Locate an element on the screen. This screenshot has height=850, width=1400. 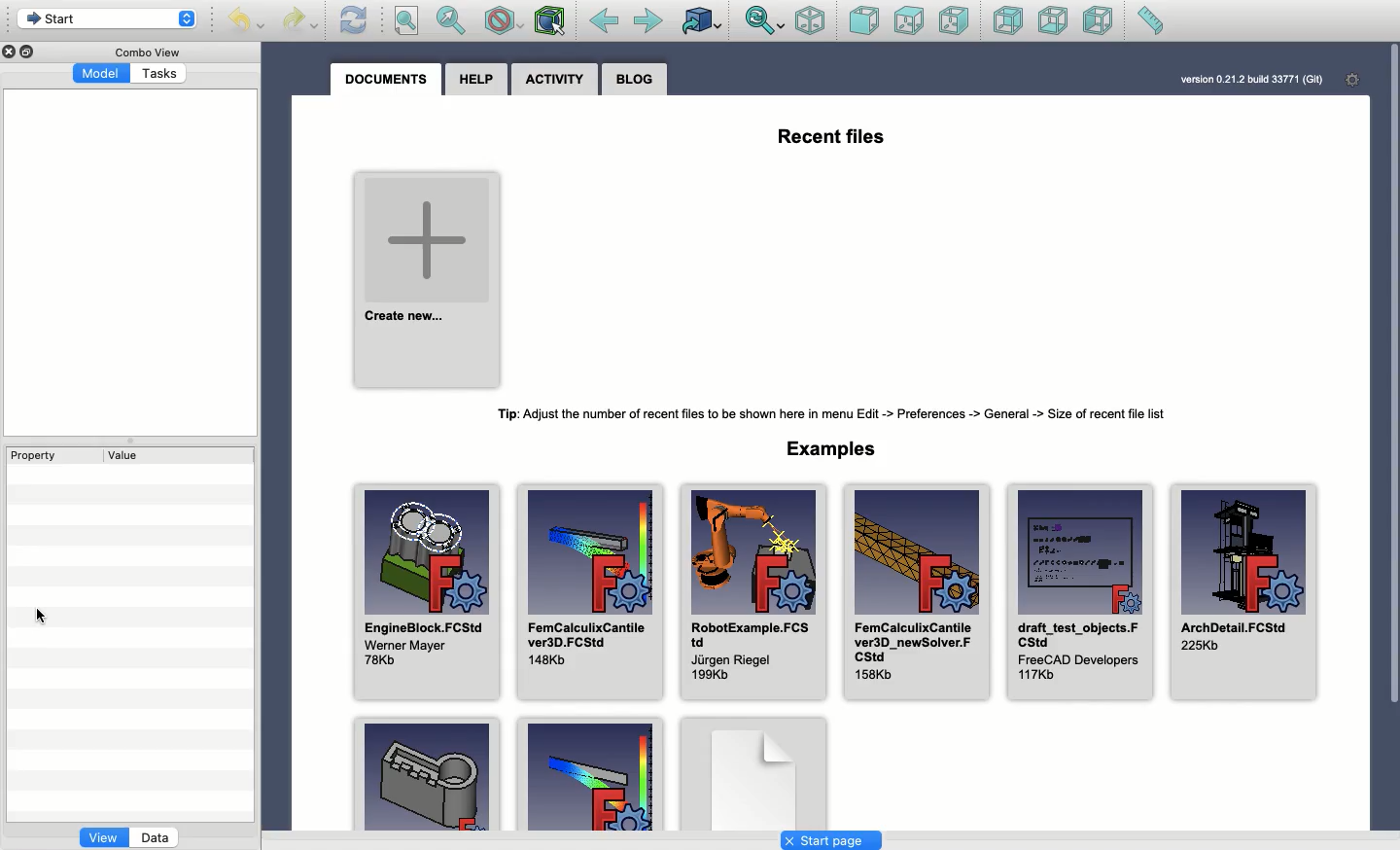
Create new is located at coordinates (430, 281).